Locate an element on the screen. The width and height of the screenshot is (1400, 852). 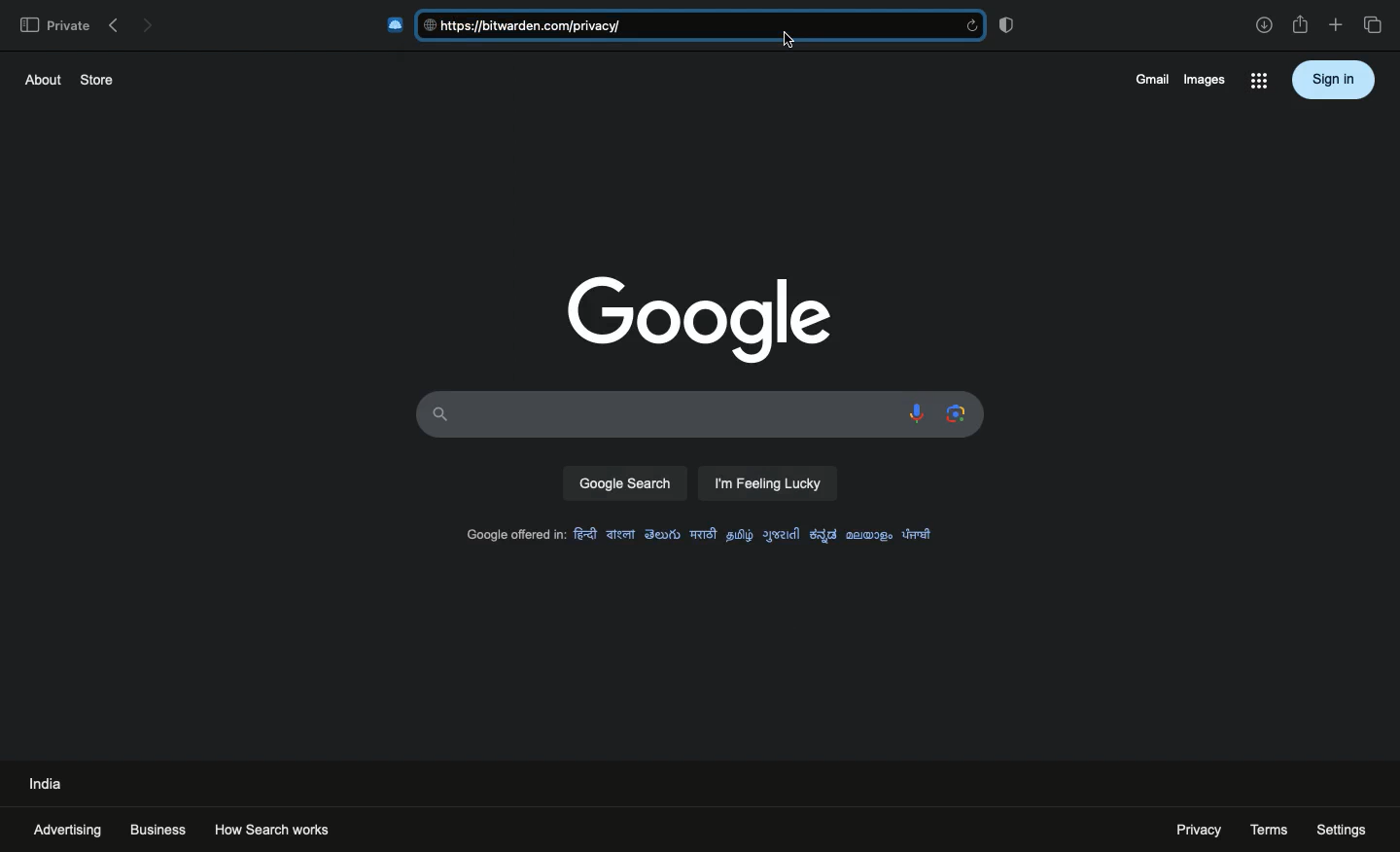
search is located at coordinates (625, 483).